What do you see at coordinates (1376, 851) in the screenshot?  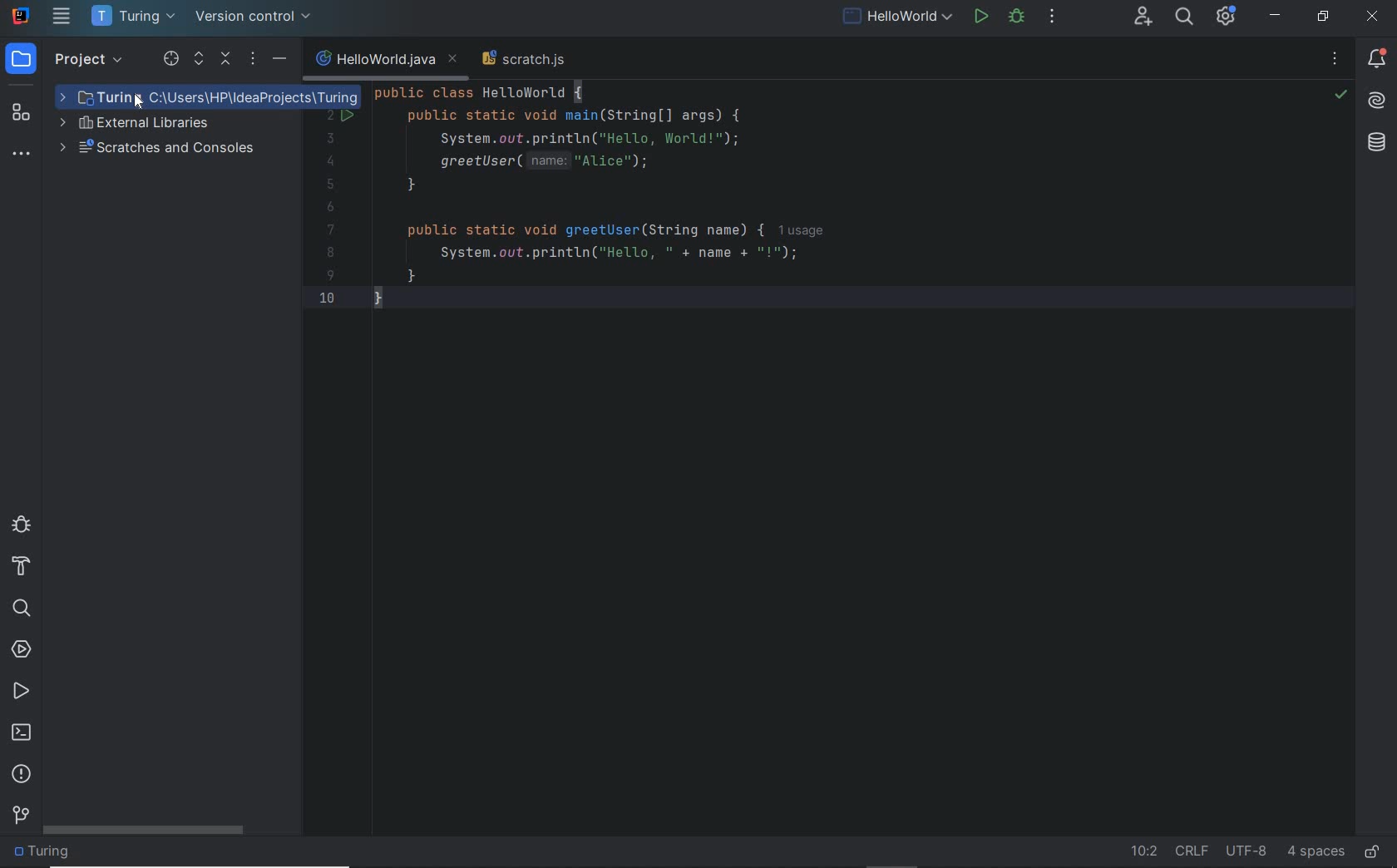 I see `make file ready only` at bounding box center [1376, 851].